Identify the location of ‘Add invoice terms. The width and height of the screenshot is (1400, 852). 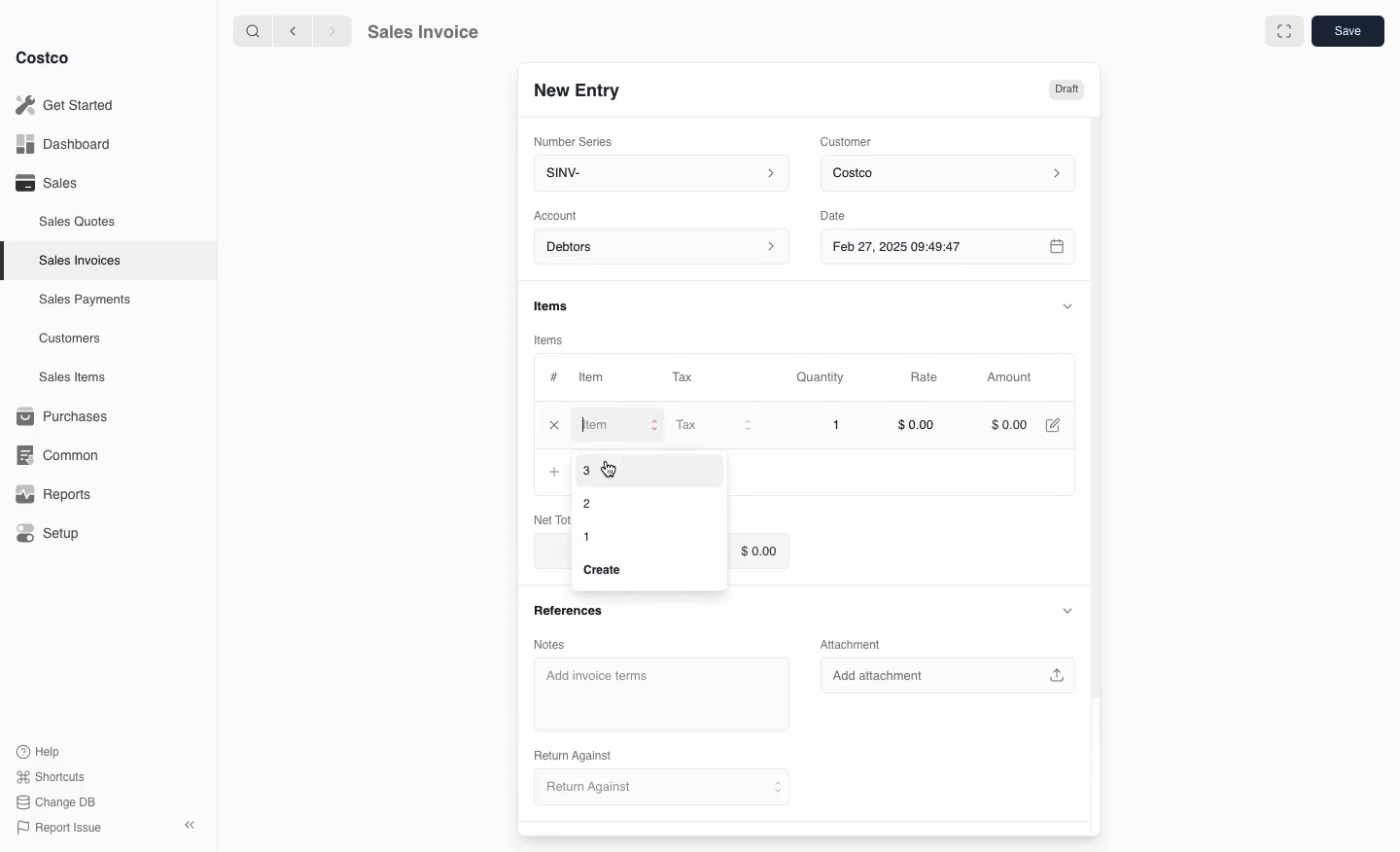
(661, 694).